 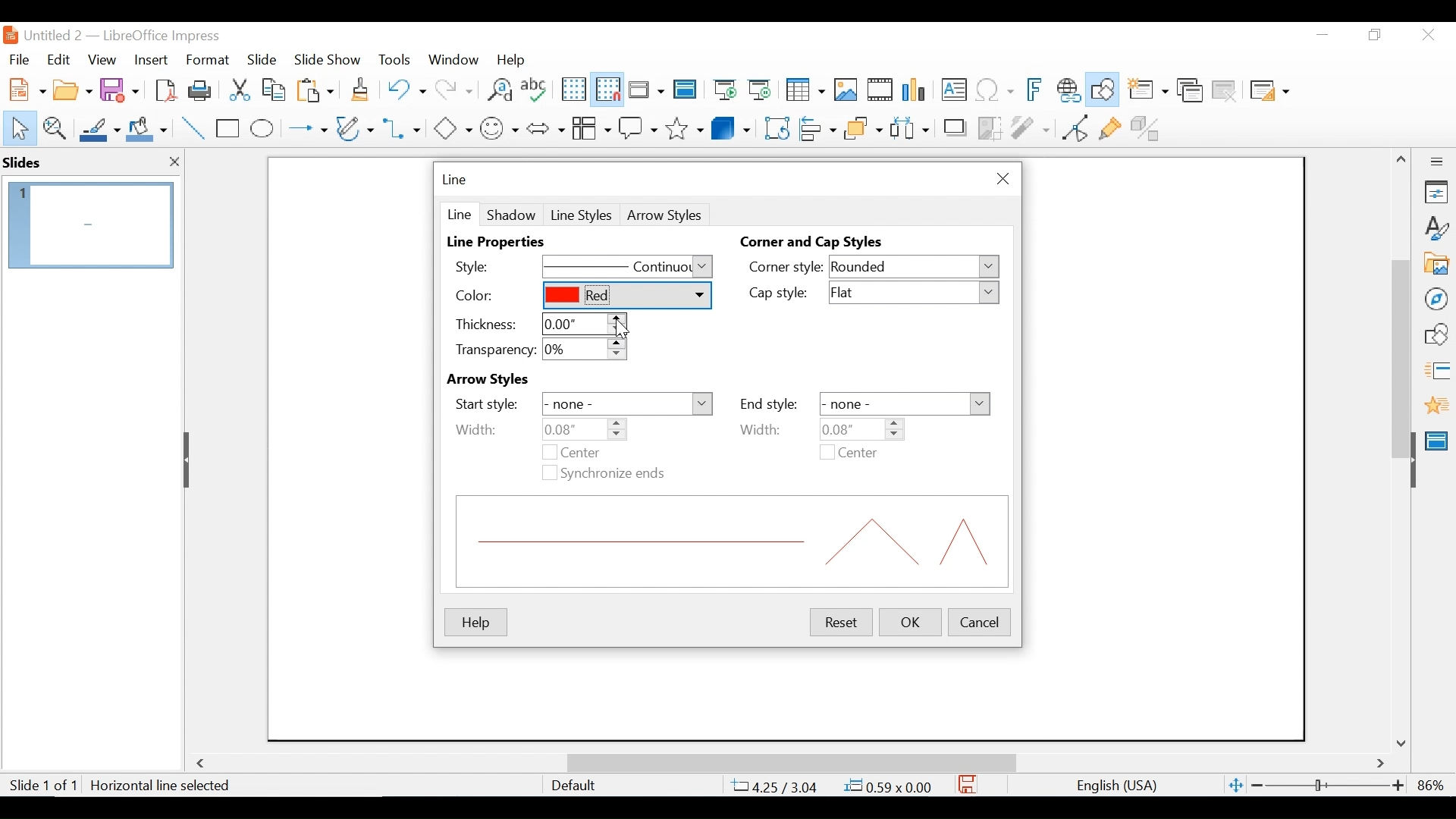 I want to click on Slide Layout, so click(x=1268, y=92).